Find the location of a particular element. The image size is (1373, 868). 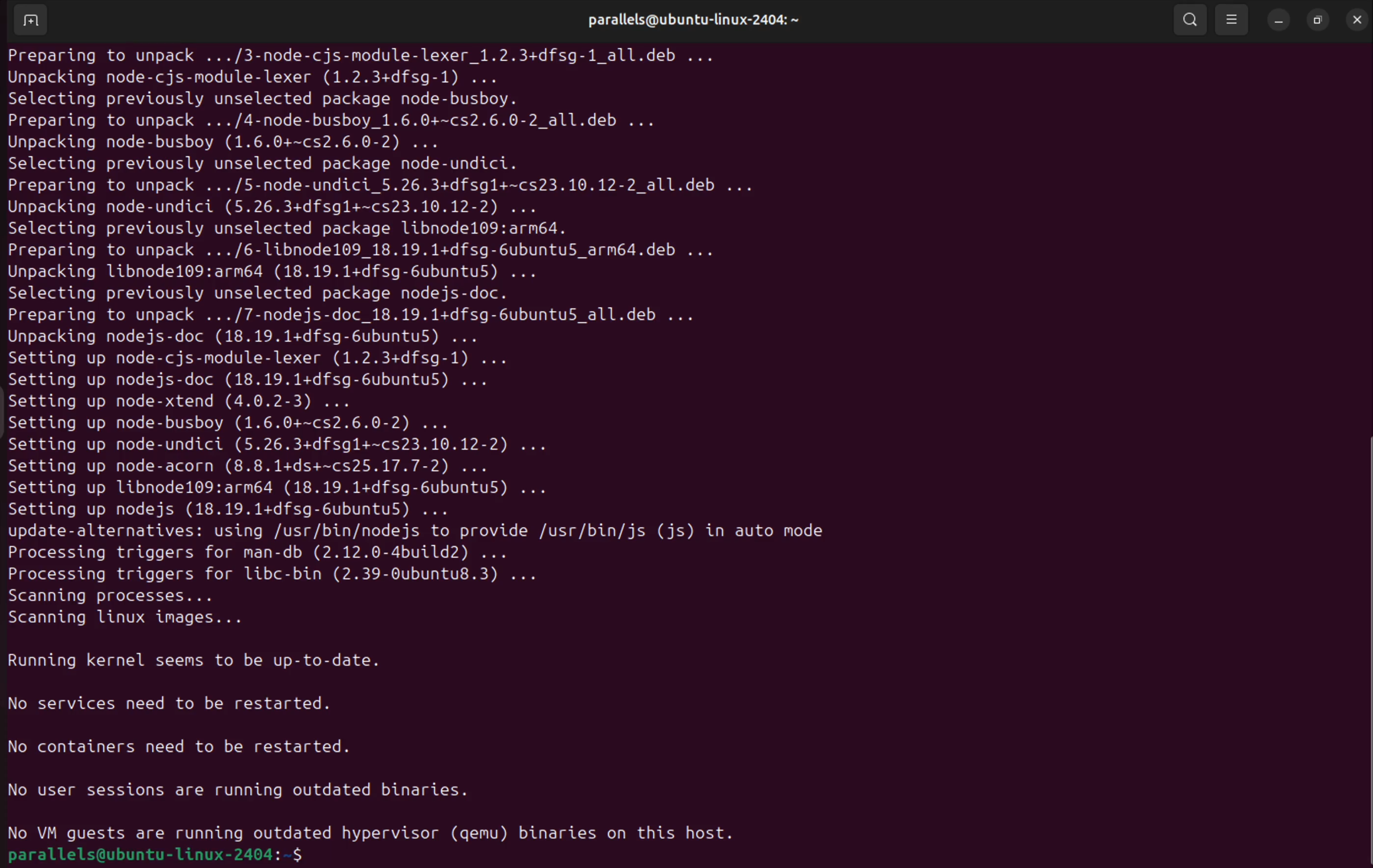

No VM guests are running outdated hypervisor (gemu) binaries on this host. is located at coordinates (385, 829).